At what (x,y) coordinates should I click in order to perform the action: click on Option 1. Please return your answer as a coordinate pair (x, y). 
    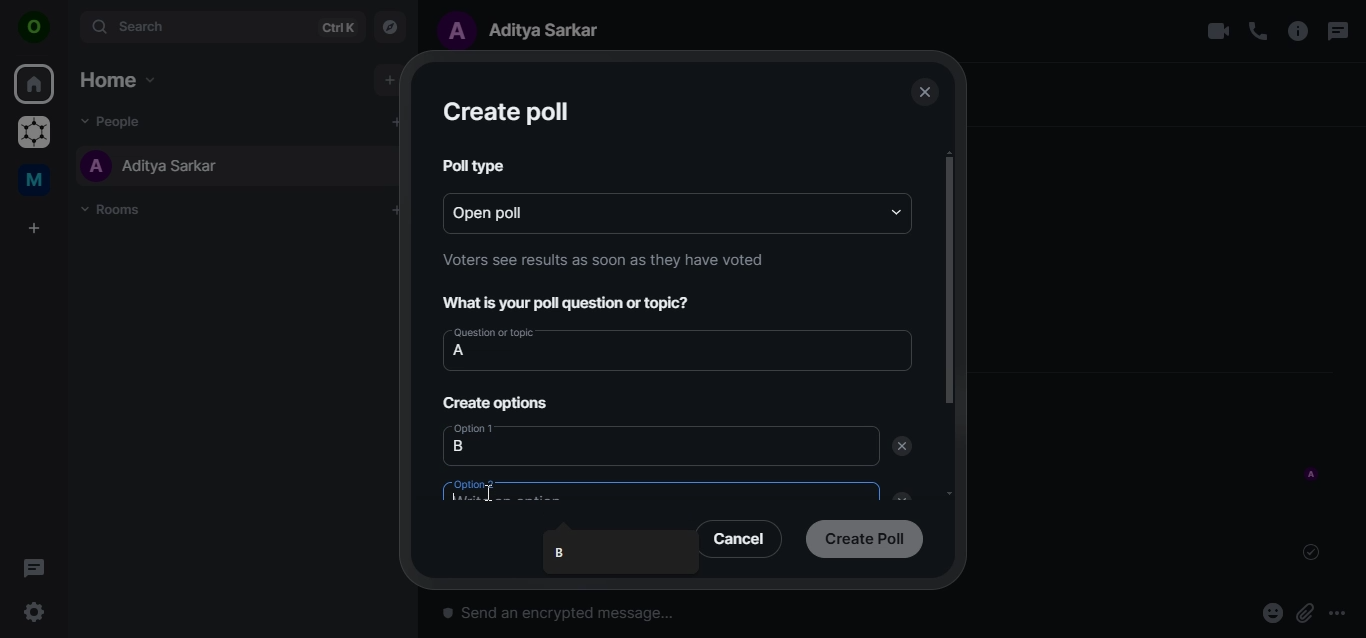
    Looking at the image, I should click on (477, 427).